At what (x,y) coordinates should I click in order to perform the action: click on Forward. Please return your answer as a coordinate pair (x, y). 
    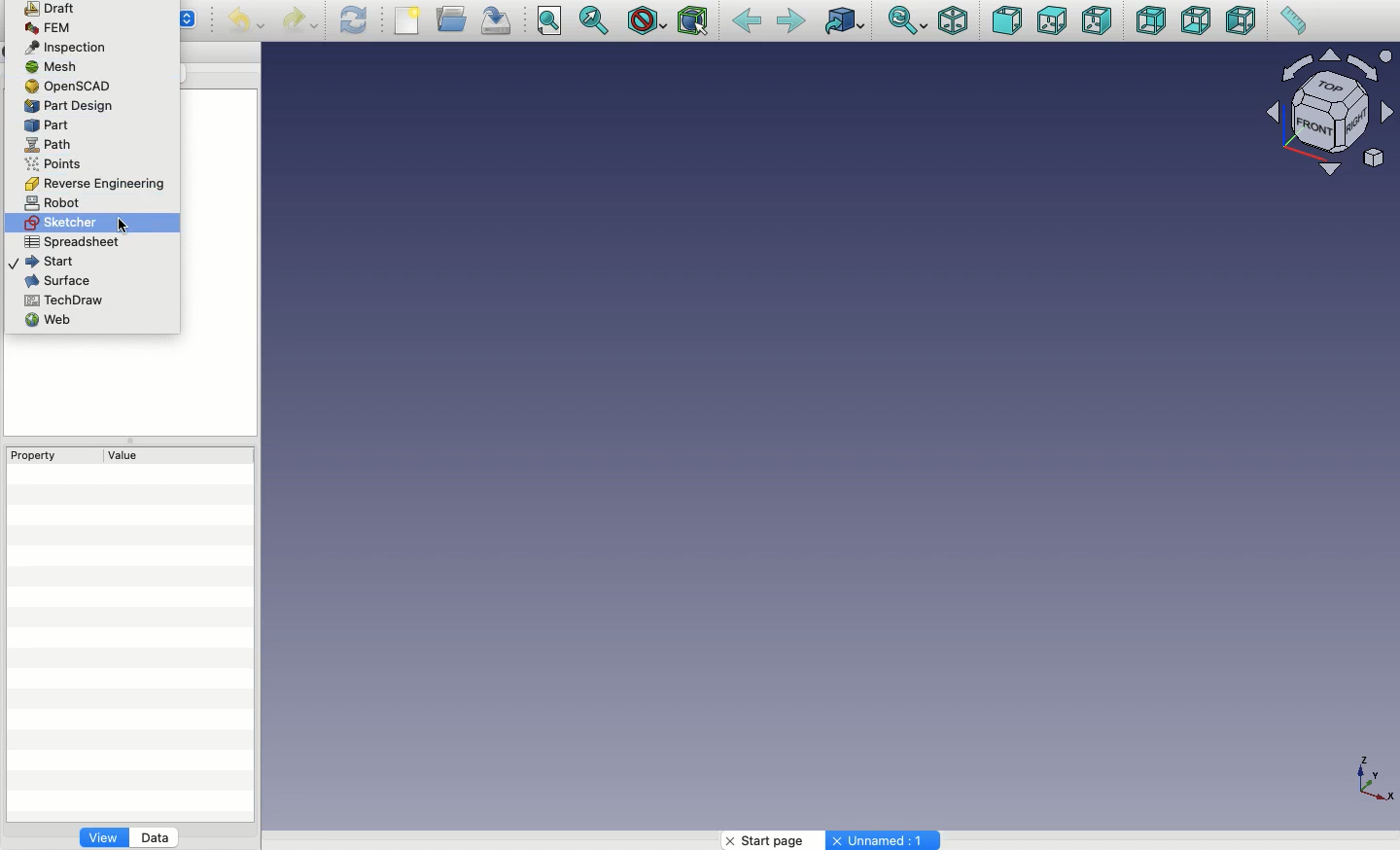
    Looking at the image, I should click on (791, 22).